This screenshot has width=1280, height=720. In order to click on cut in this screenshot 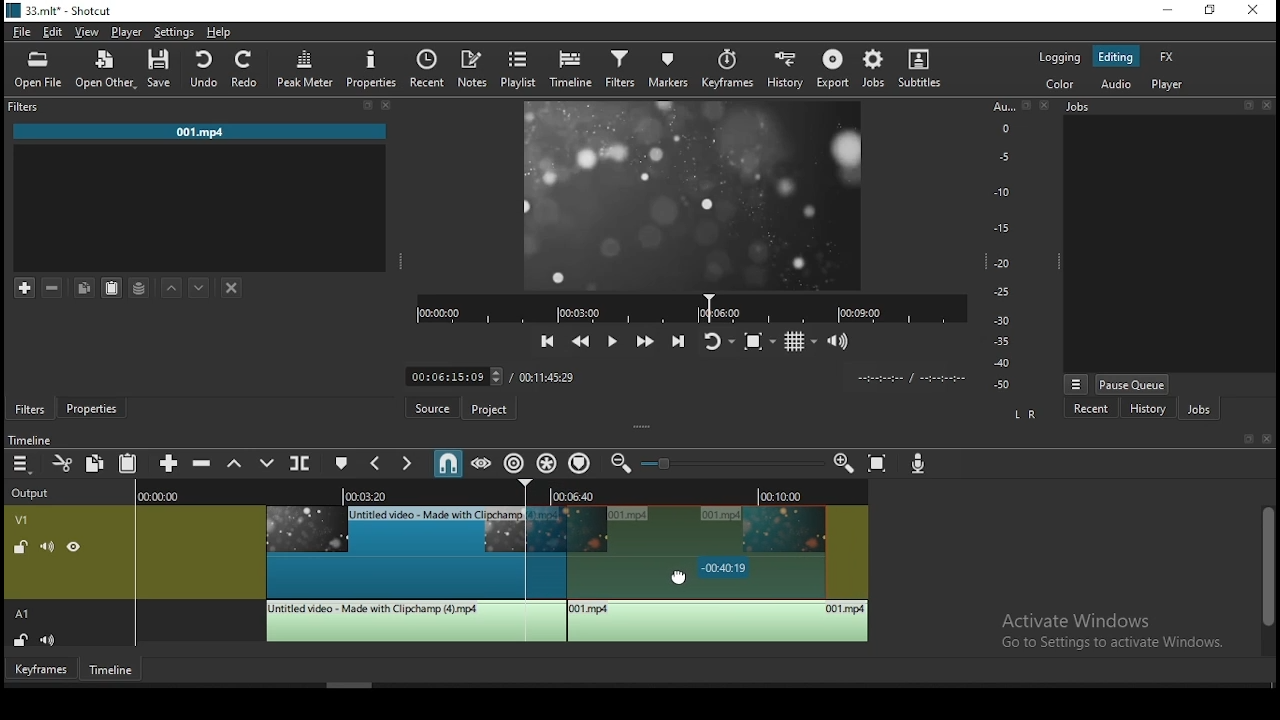, I will do `click(63, 463)`.